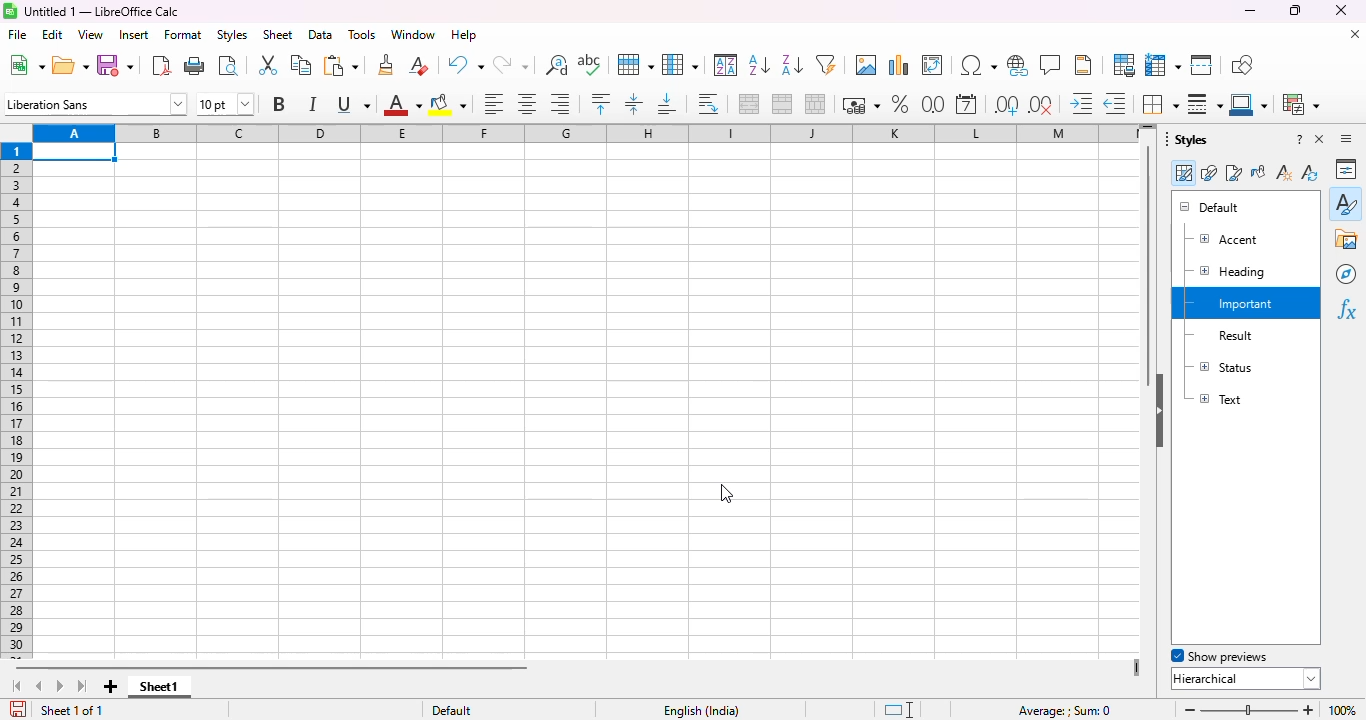  I want to click on data, so click(321, 35).